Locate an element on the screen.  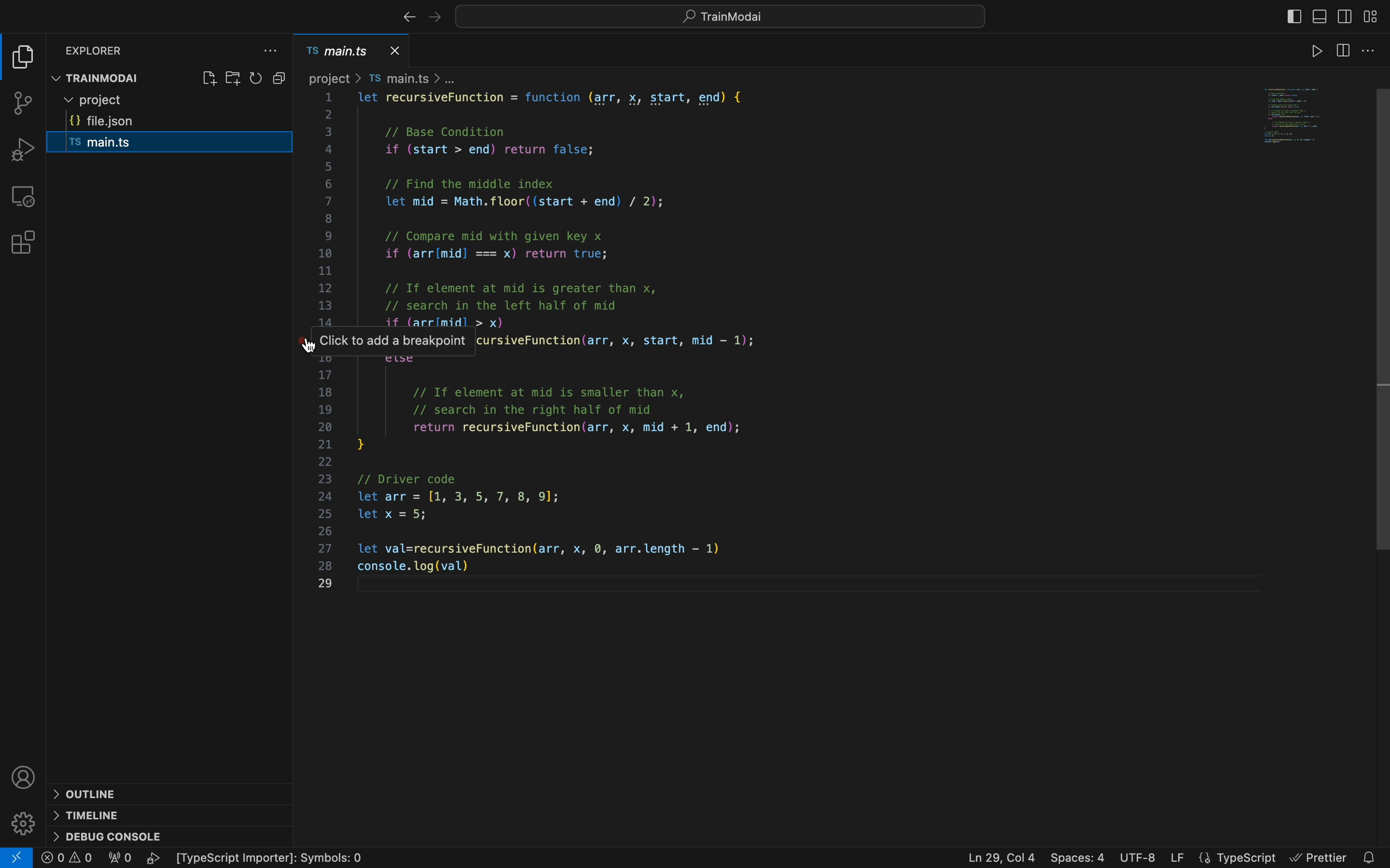
console is located at coordinates (125, 834).